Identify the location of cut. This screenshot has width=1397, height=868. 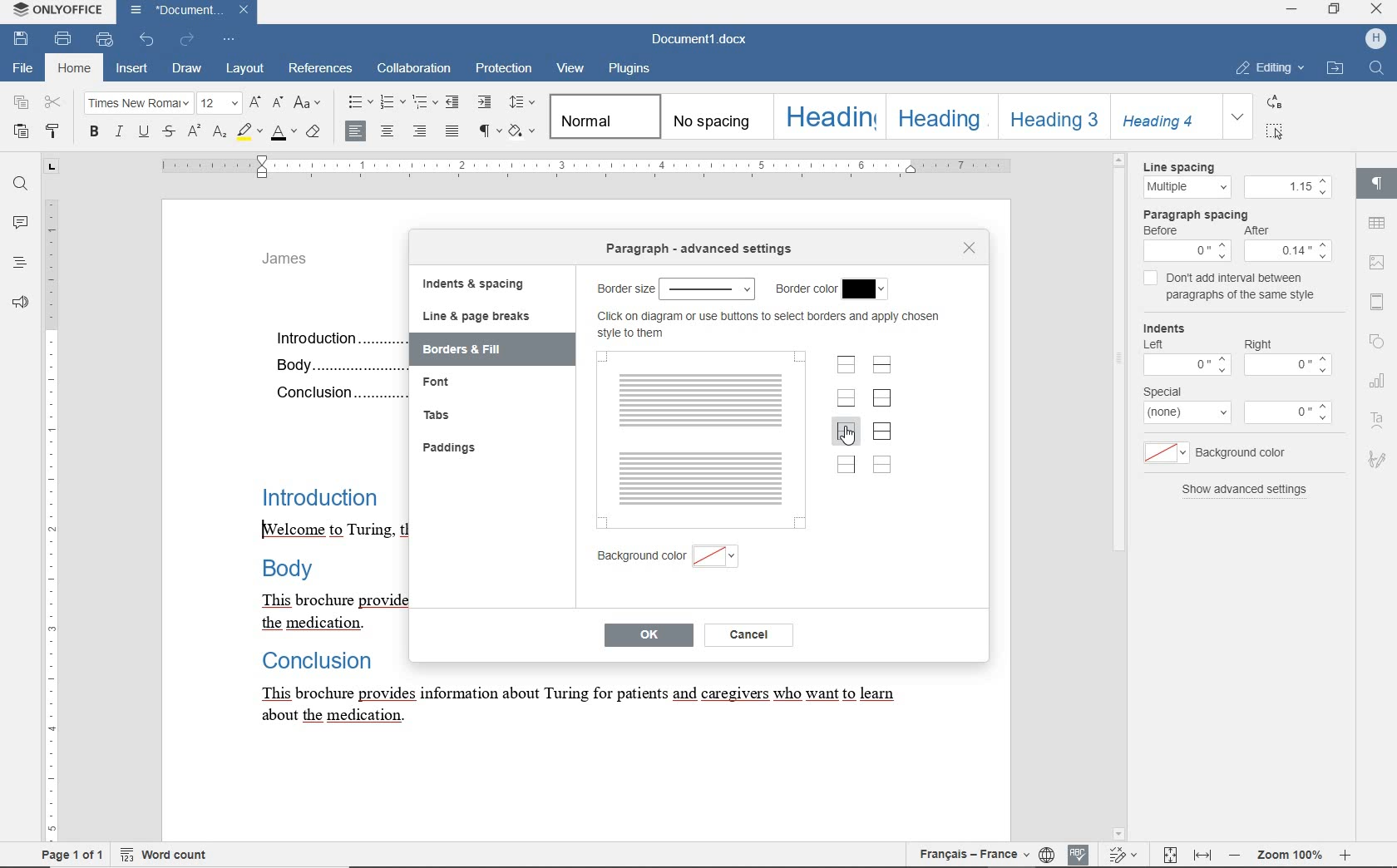
(54, 103).